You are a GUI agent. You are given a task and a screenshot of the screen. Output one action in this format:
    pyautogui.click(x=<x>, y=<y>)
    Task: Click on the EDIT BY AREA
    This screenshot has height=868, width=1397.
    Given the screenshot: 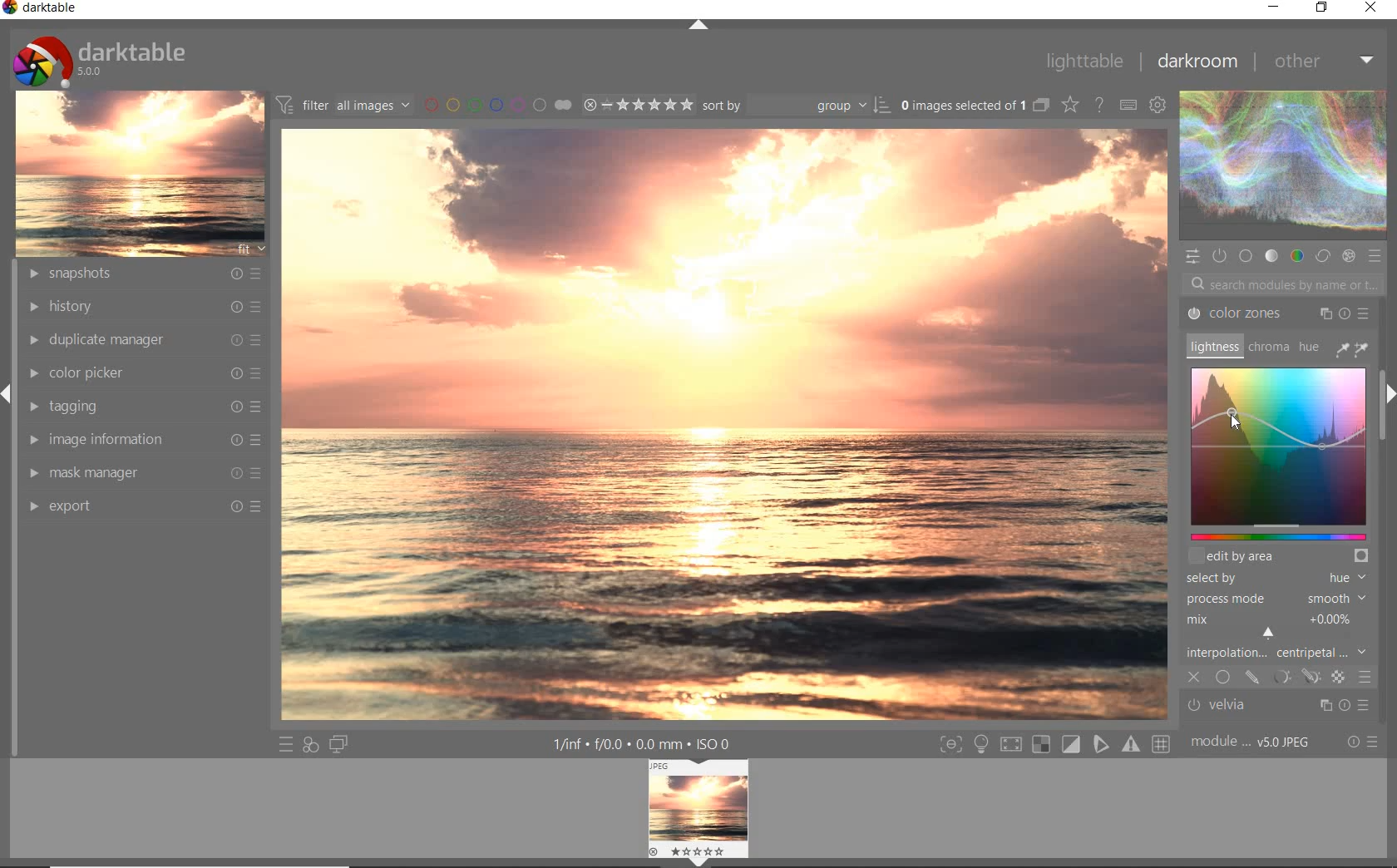 What is the action you would take?
    pyautogui.click(x=1281, y=555)
    